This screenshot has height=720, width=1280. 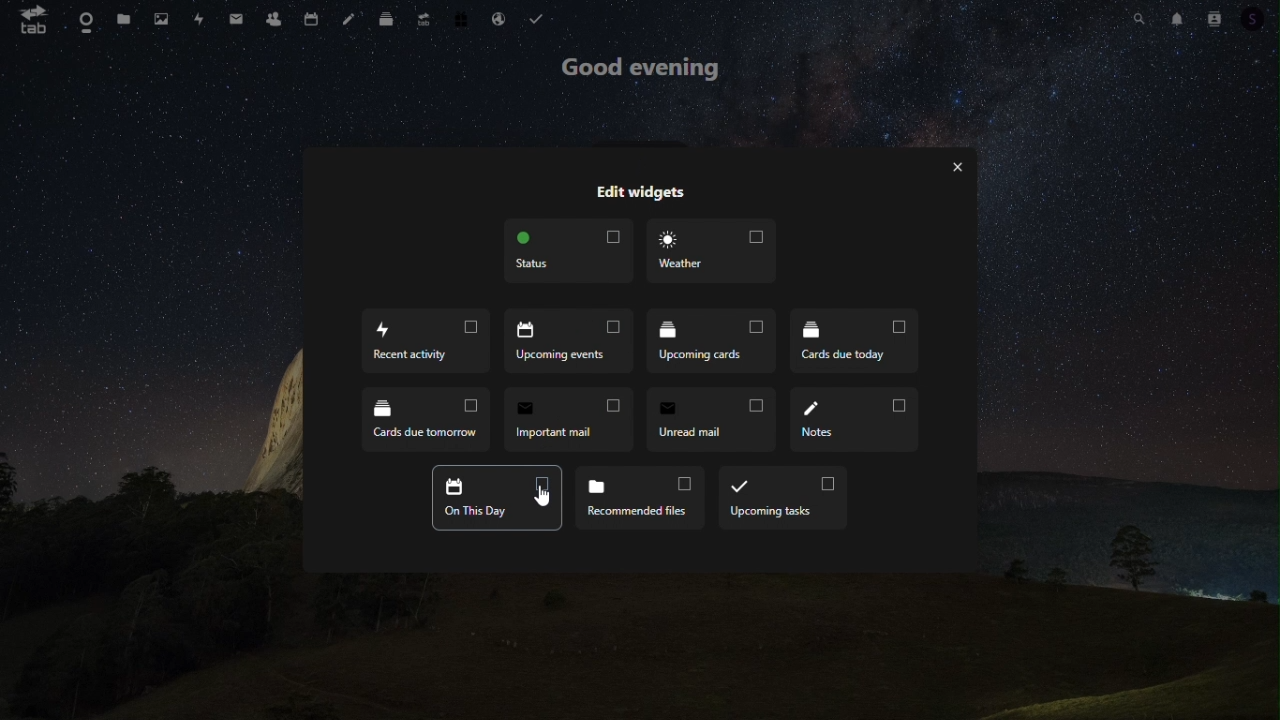 I want to click on Recent activity, so click(x=425, y=341).